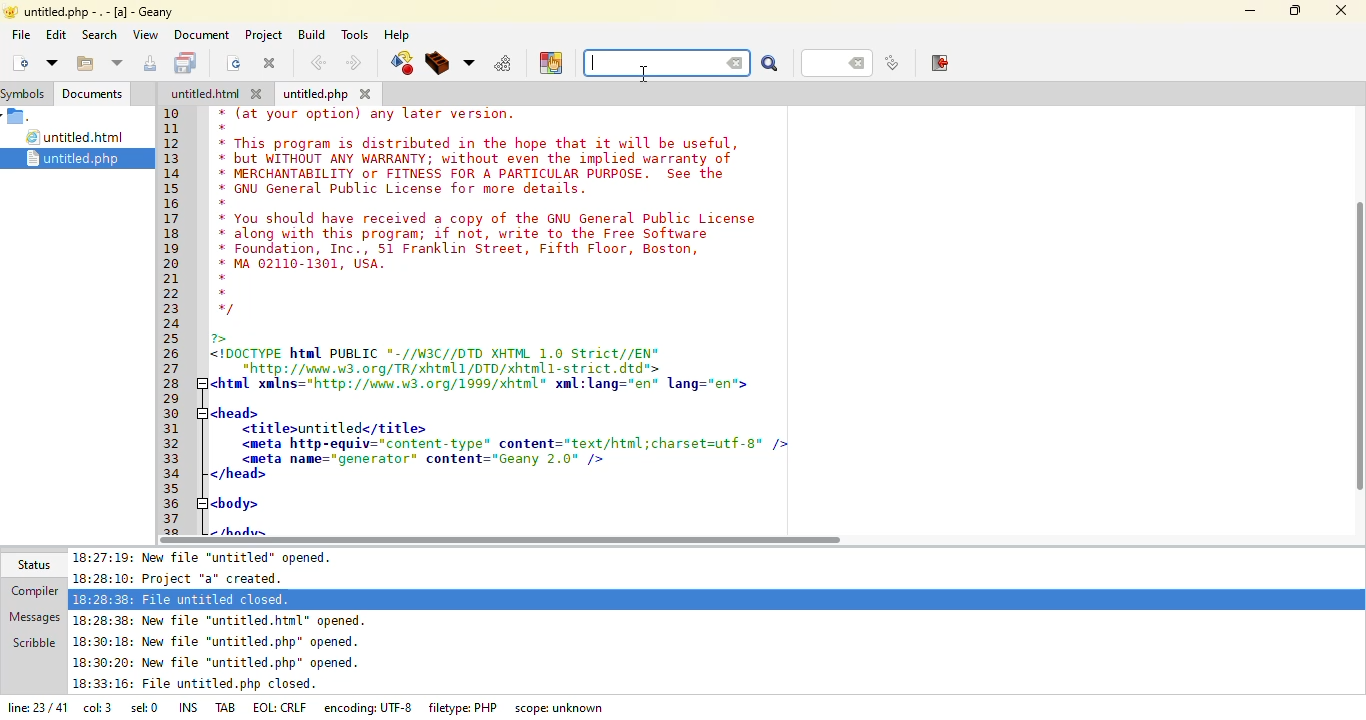 The width and height of the screenshot is (1366, 720). I want to click on * but without any warranty; without even the implied warranty of, so click(478, 160).